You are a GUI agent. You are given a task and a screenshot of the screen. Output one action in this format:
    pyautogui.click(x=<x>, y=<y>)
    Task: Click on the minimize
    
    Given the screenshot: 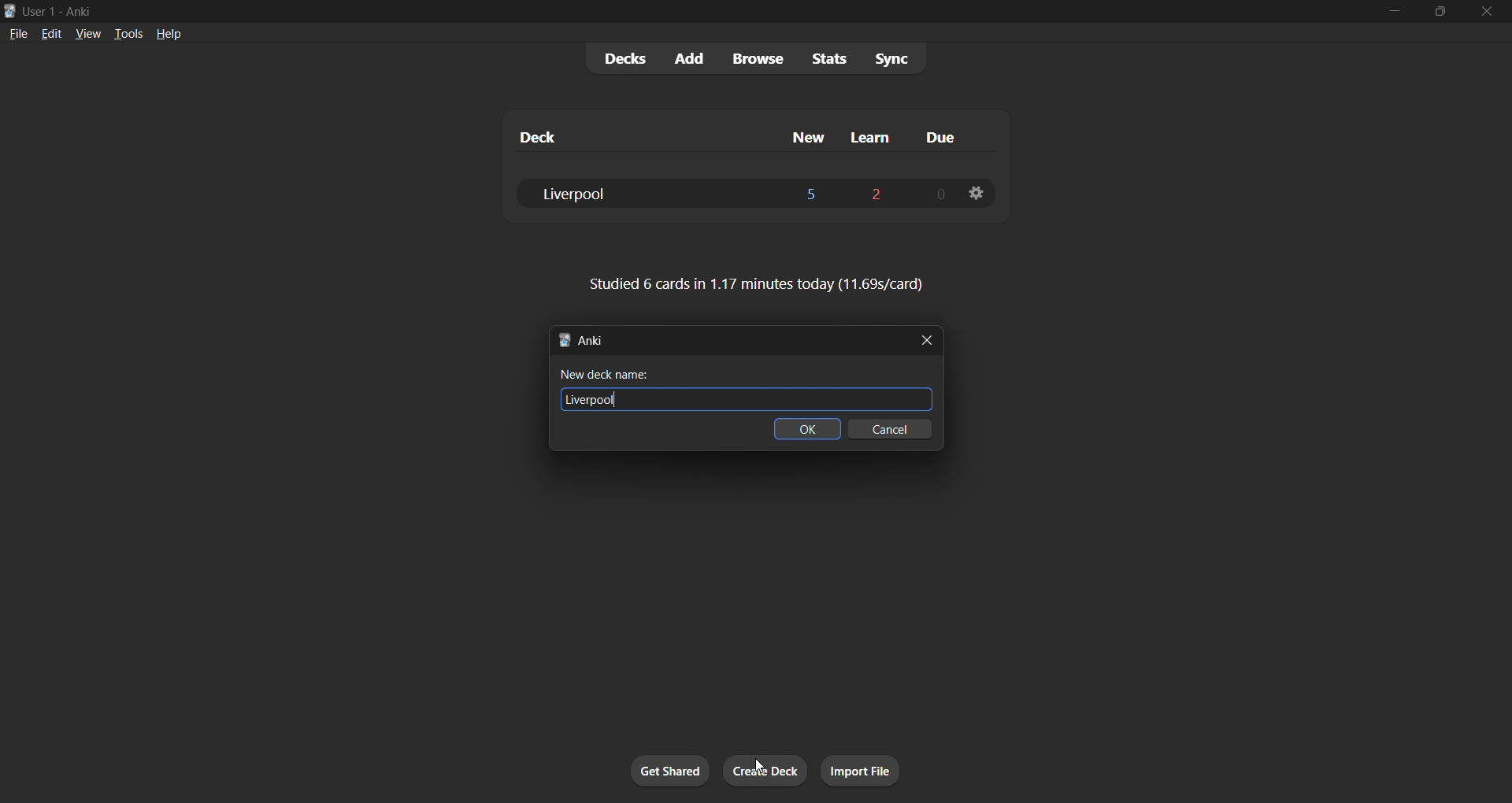 What is the action you would take?
    pyautogui.click(x=1385, y=13)
    